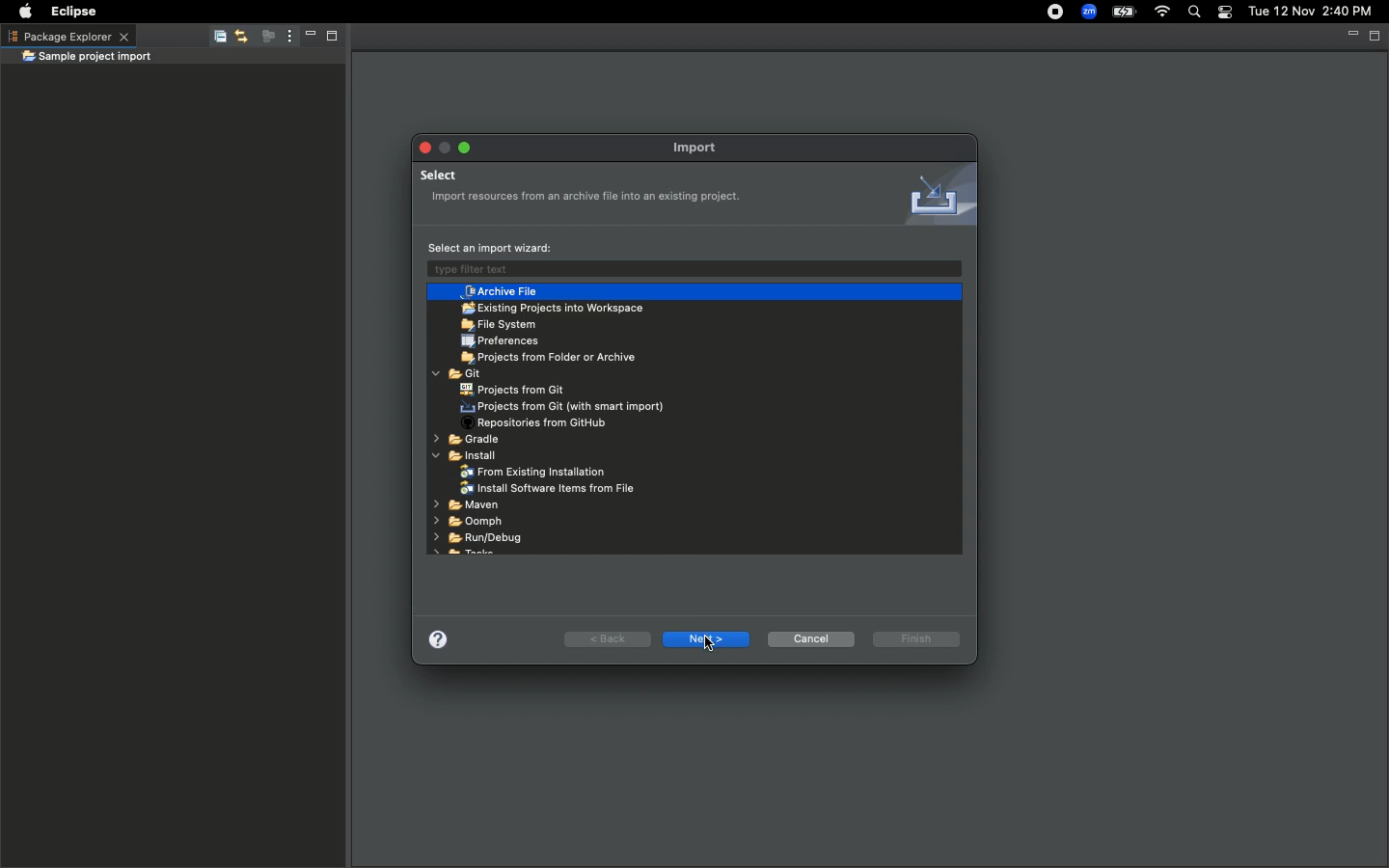 The image size is (1389, 868). Describe the element at coordinates (512, 390) in the screenshot. I see `Projects from Git` at that location.